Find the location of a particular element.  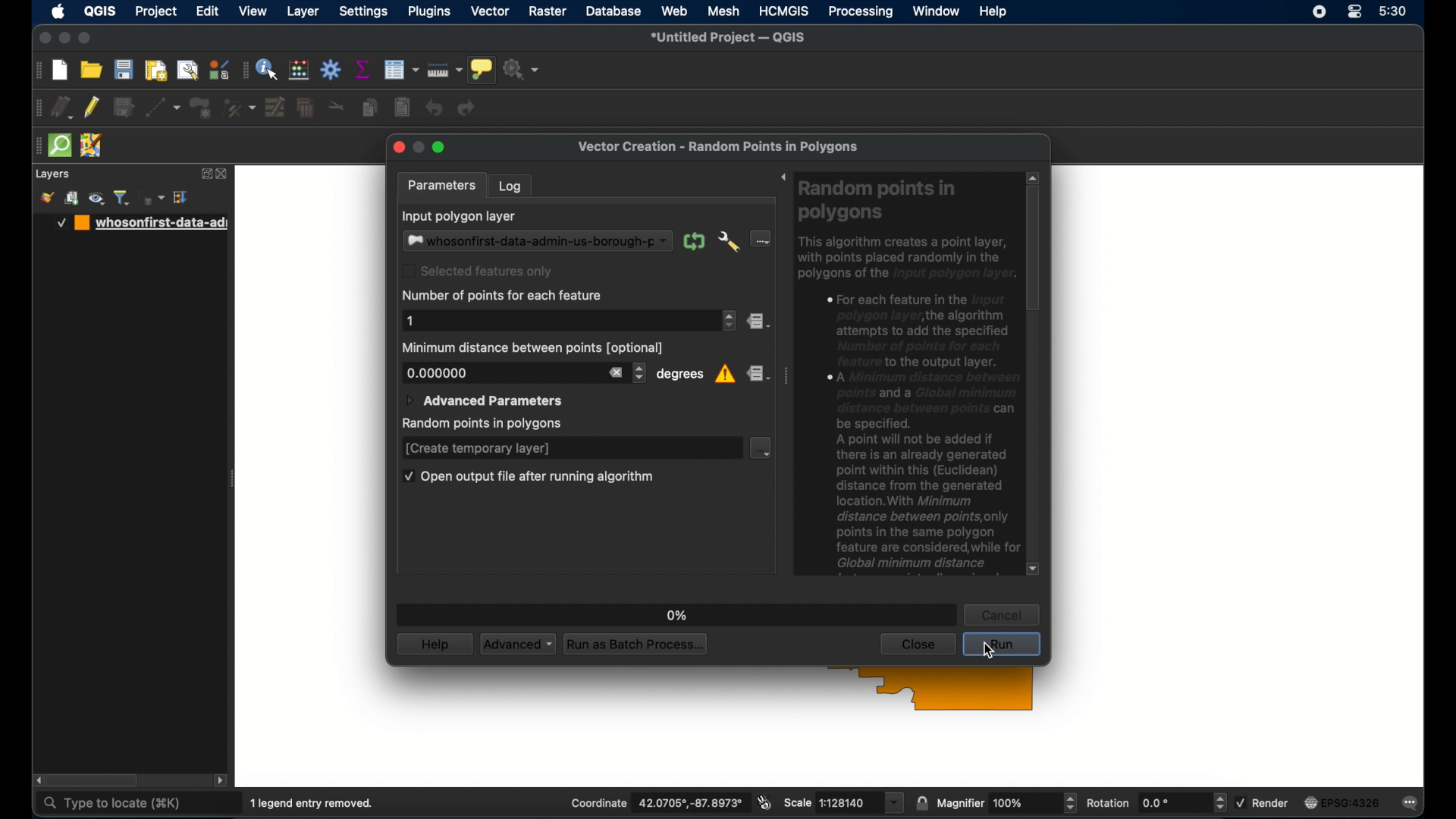

maximize is located at coordinates (439, 147).